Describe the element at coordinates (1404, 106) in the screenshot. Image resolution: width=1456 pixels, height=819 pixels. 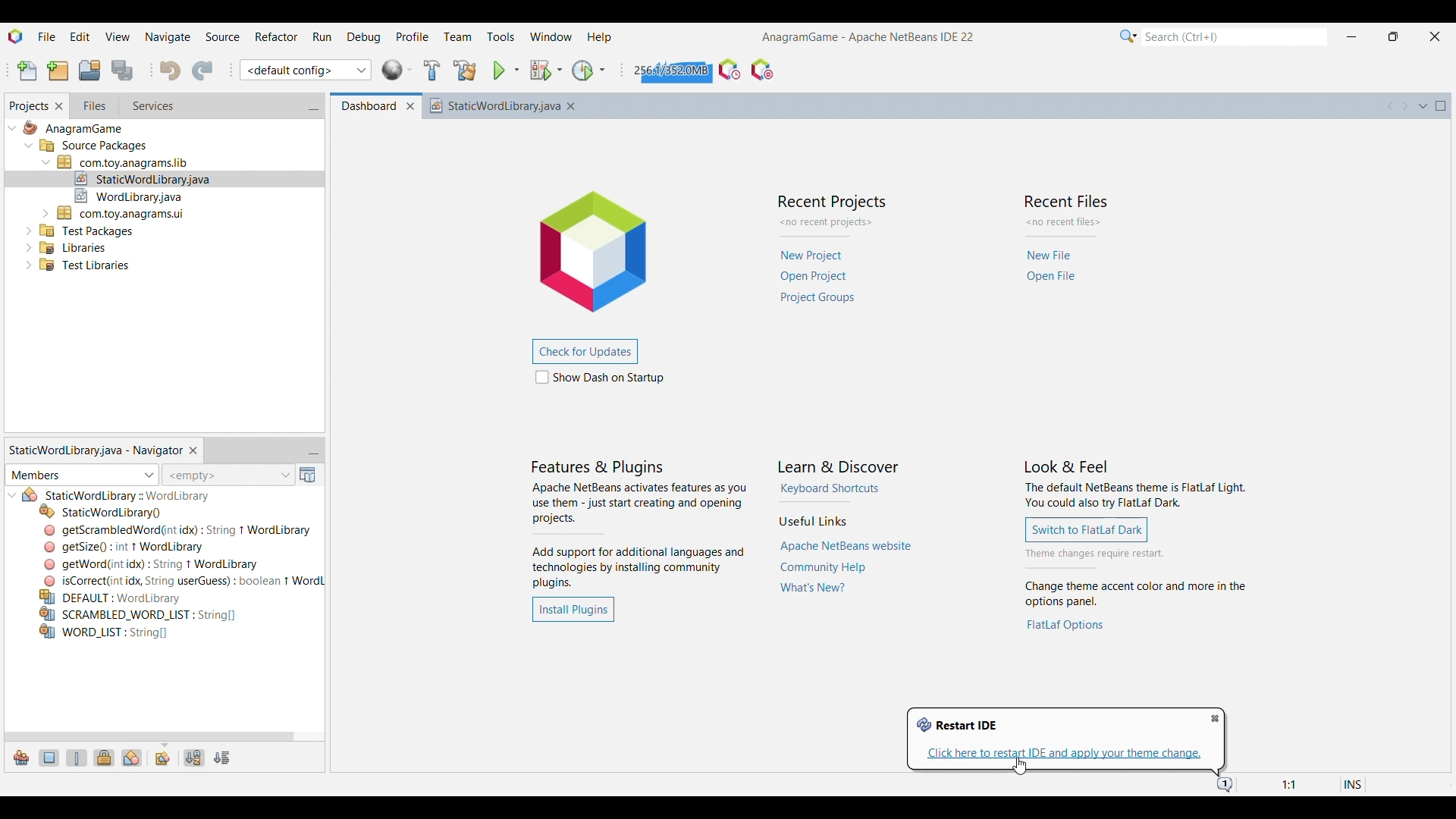
I see `Scroll documents right` at that location.